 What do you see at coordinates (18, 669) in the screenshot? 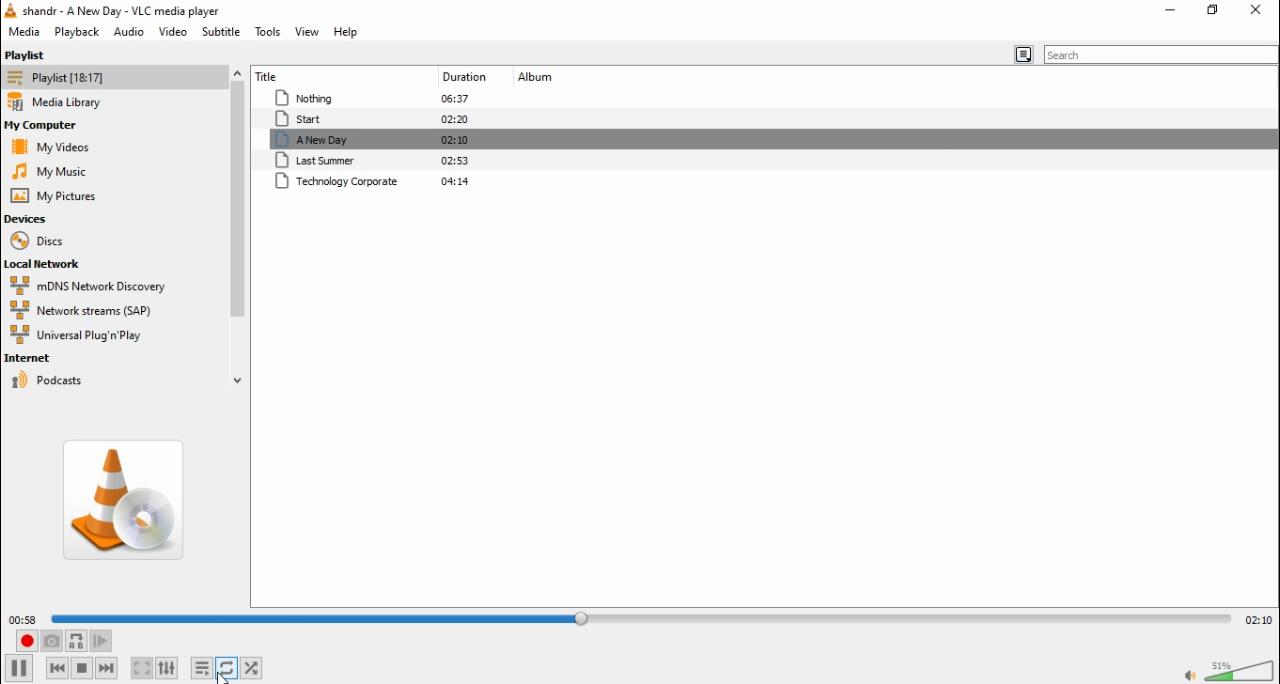
I see `play/pause` at bounding box center [18, 669].